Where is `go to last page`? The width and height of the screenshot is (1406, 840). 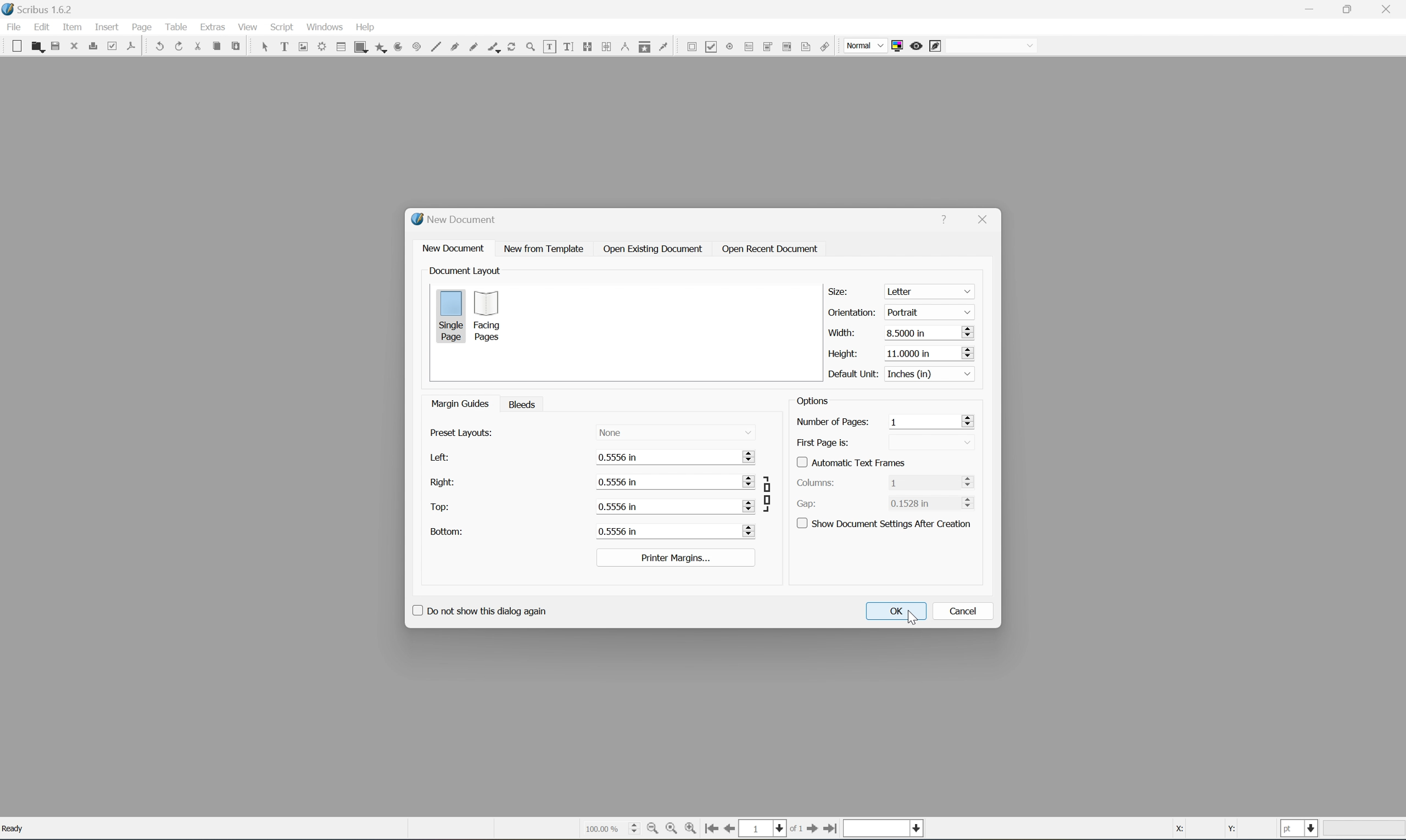
go to last page is located at coordinates (832, 830).